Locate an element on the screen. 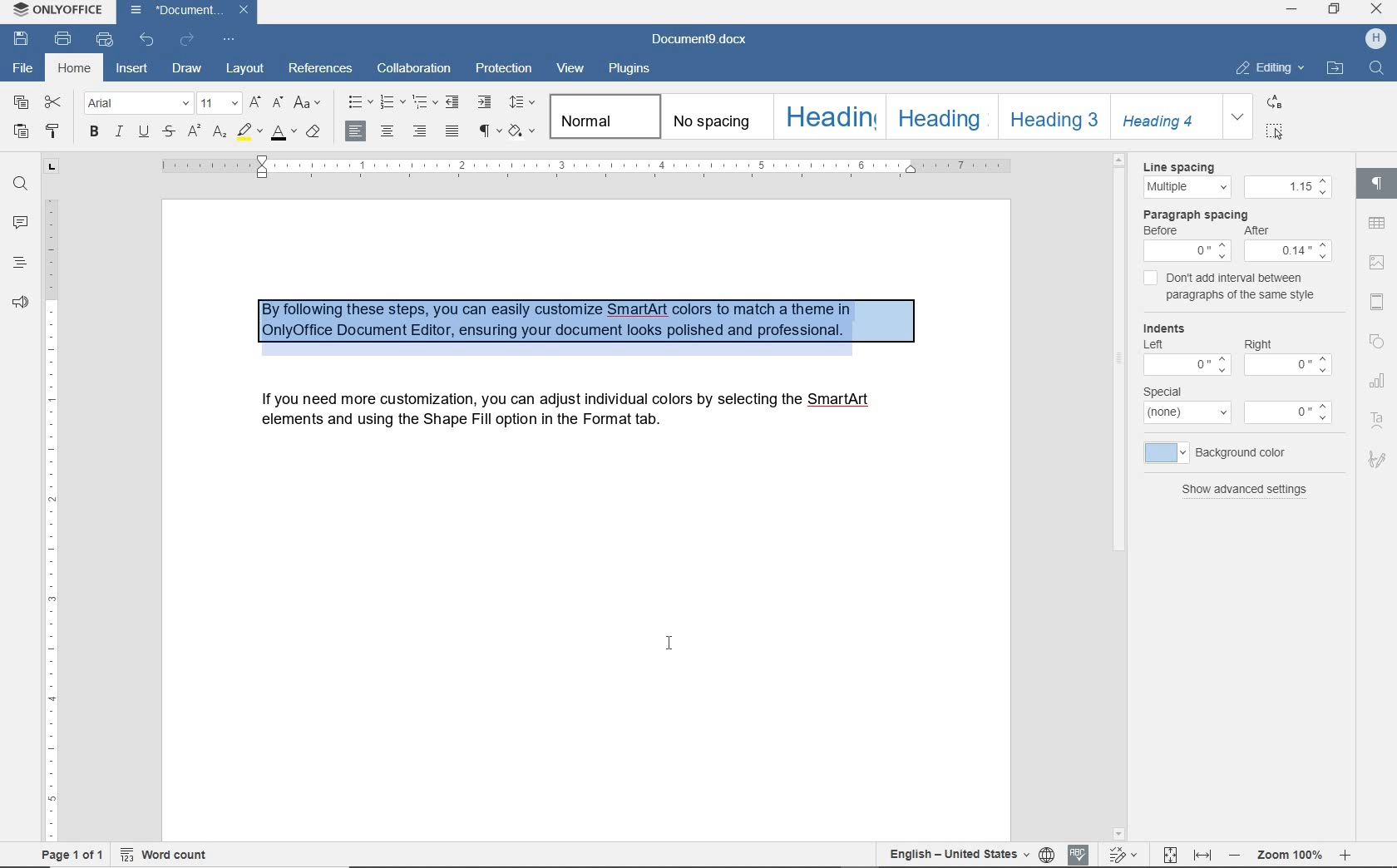  heading 2 is located at coordinates (937, 116).